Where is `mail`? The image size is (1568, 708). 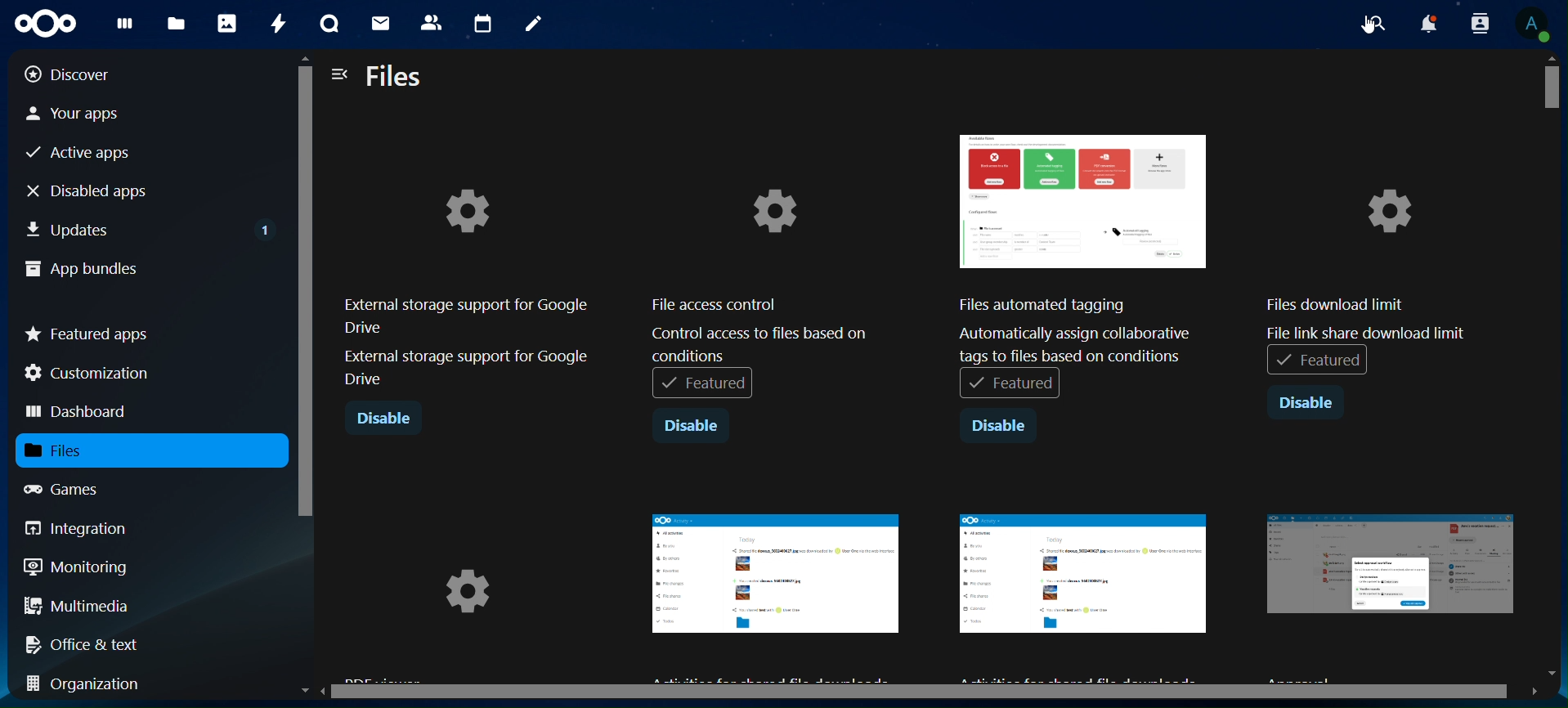 mail is located at coordinates (383, 25).